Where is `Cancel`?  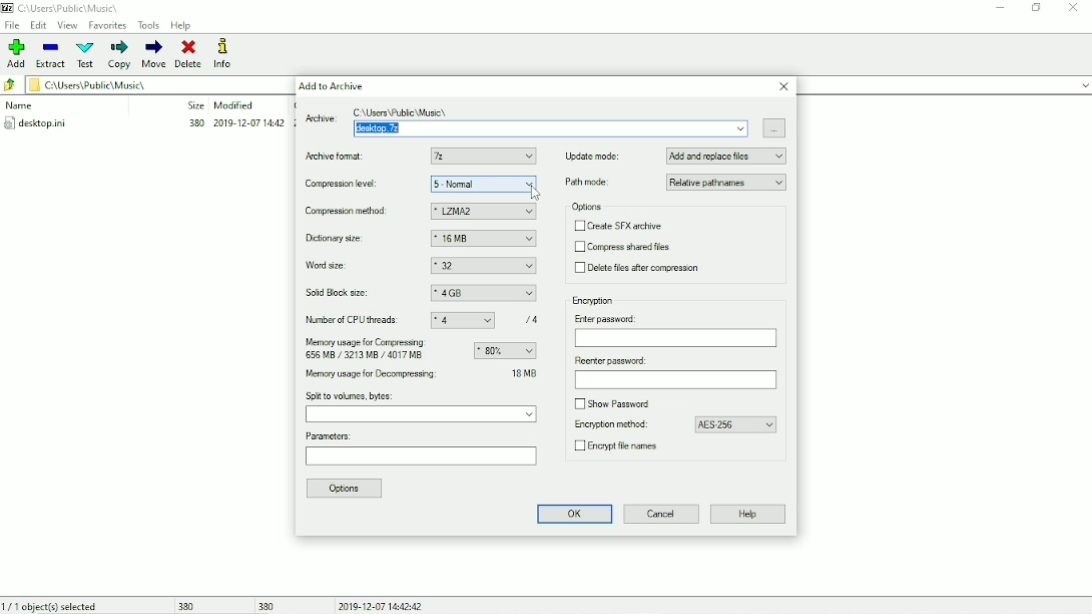 Cancel is located at coordinates (662, 514).